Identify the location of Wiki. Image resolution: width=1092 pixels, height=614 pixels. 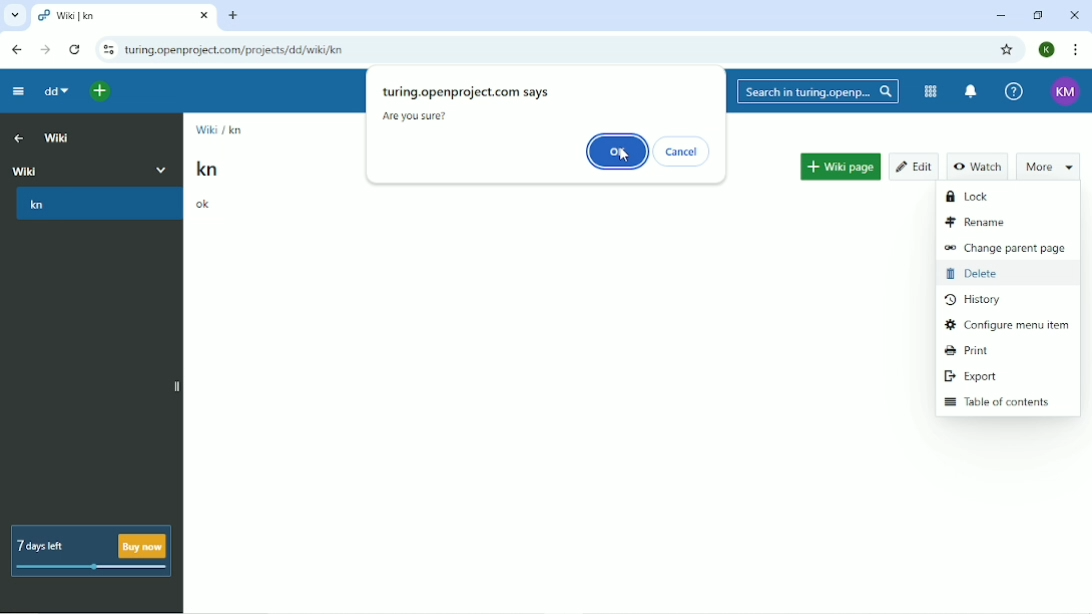
(56, 138).